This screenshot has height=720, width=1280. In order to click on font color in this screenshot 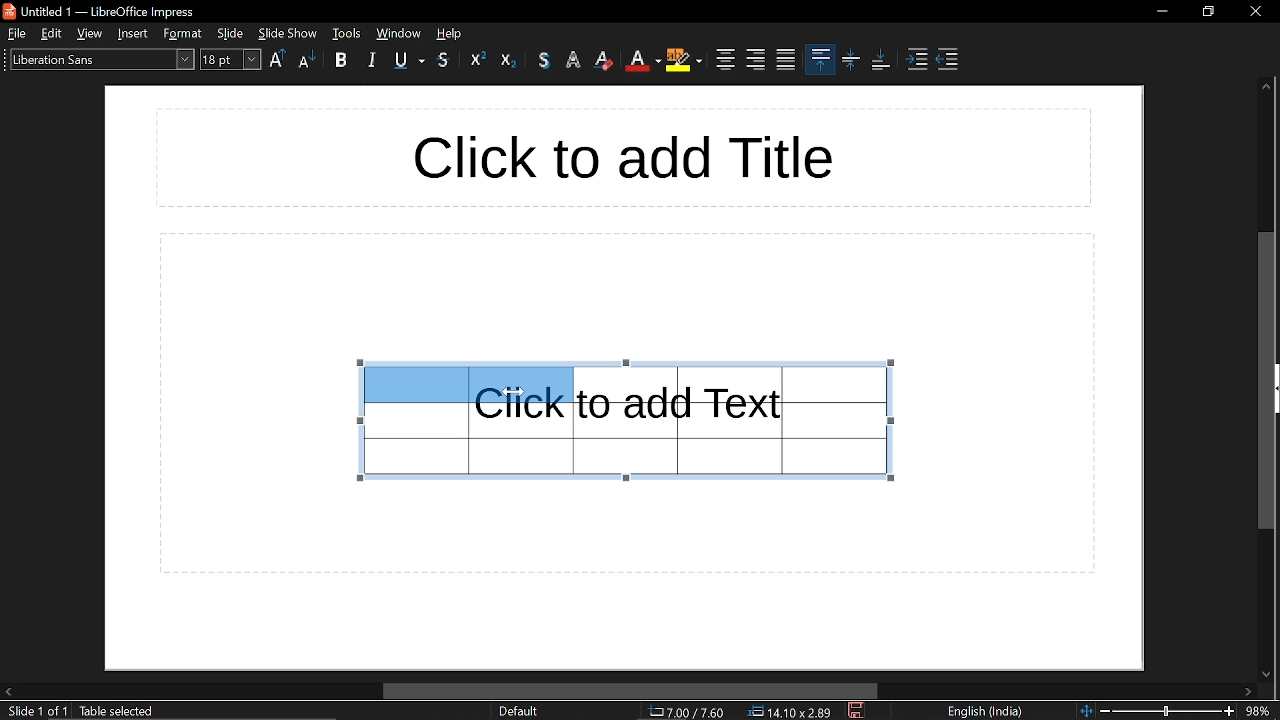, I will do `click(642, 61)`.